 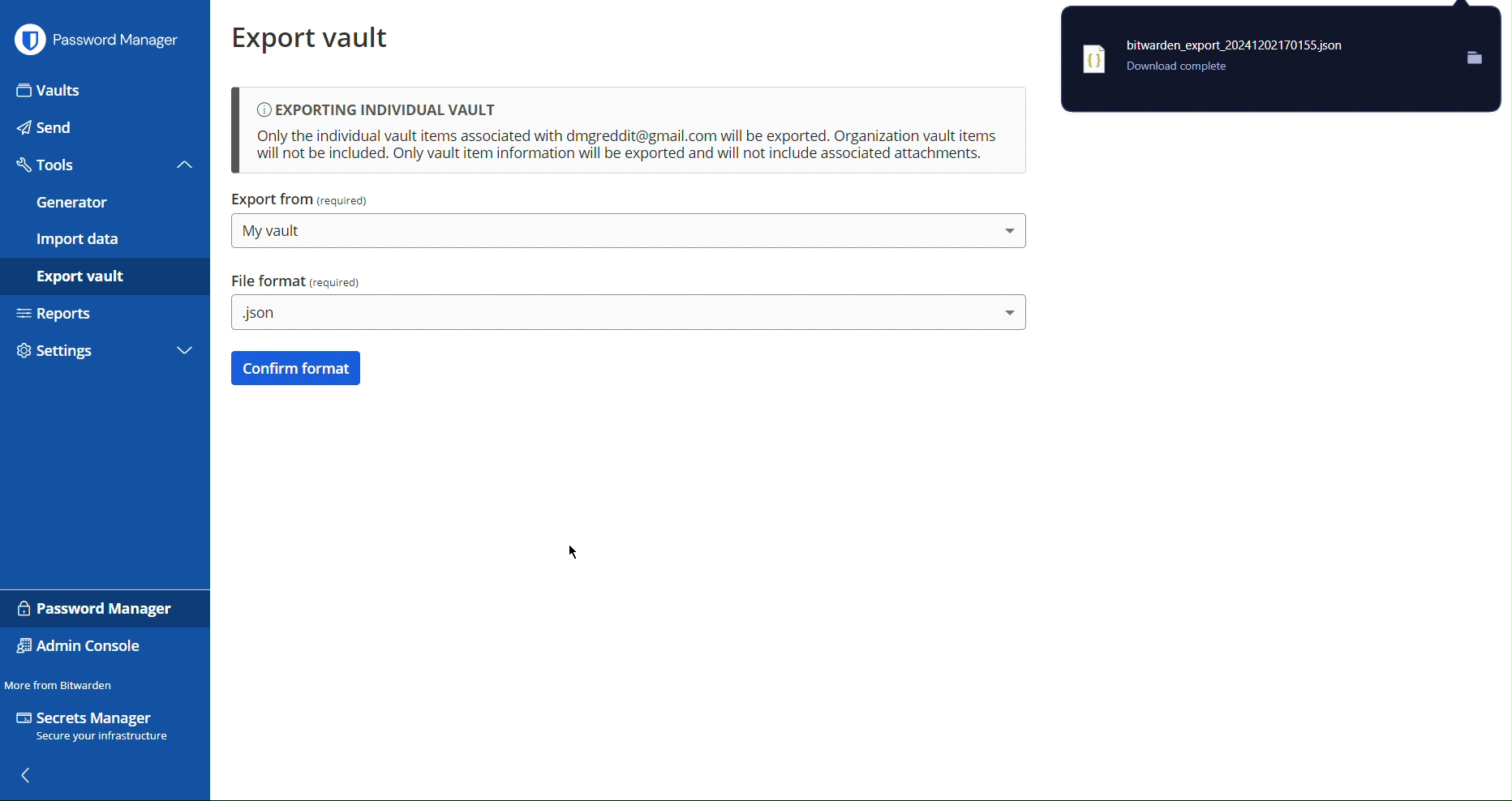 I want to click on File format (.json), so click(x=299, y=280).